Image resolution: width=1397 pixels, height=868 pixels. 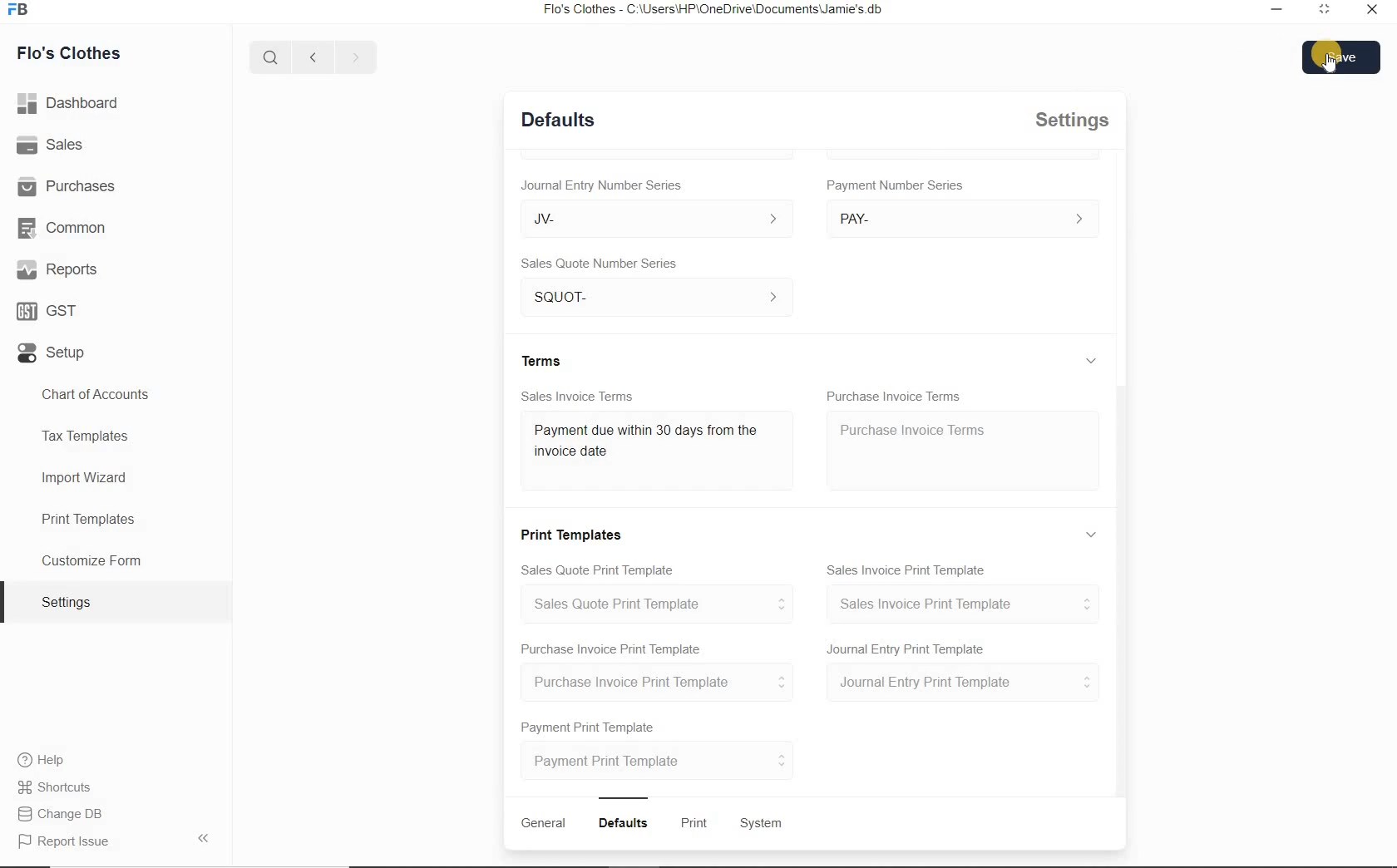 What do you see at coordinates (543, 822) in the screenshot?
I see `General` at bounding box center [543, 822].